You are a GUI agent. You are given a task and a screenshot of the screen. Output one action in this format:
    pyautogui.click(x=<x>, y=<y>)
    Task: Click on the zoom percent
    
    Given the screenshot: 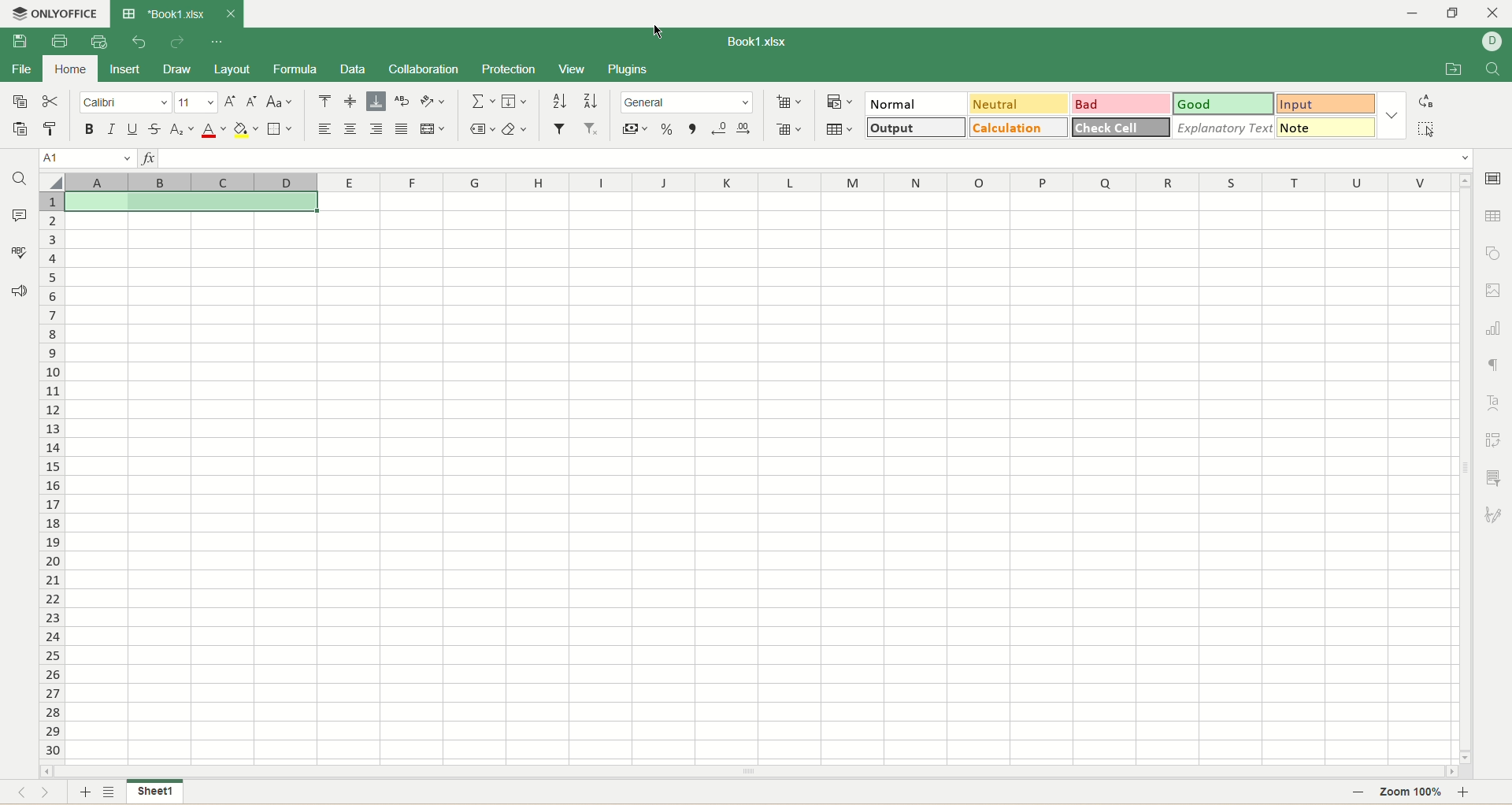 What is the action you would take?
    pyautogui.click(x=1412, y=793)
    